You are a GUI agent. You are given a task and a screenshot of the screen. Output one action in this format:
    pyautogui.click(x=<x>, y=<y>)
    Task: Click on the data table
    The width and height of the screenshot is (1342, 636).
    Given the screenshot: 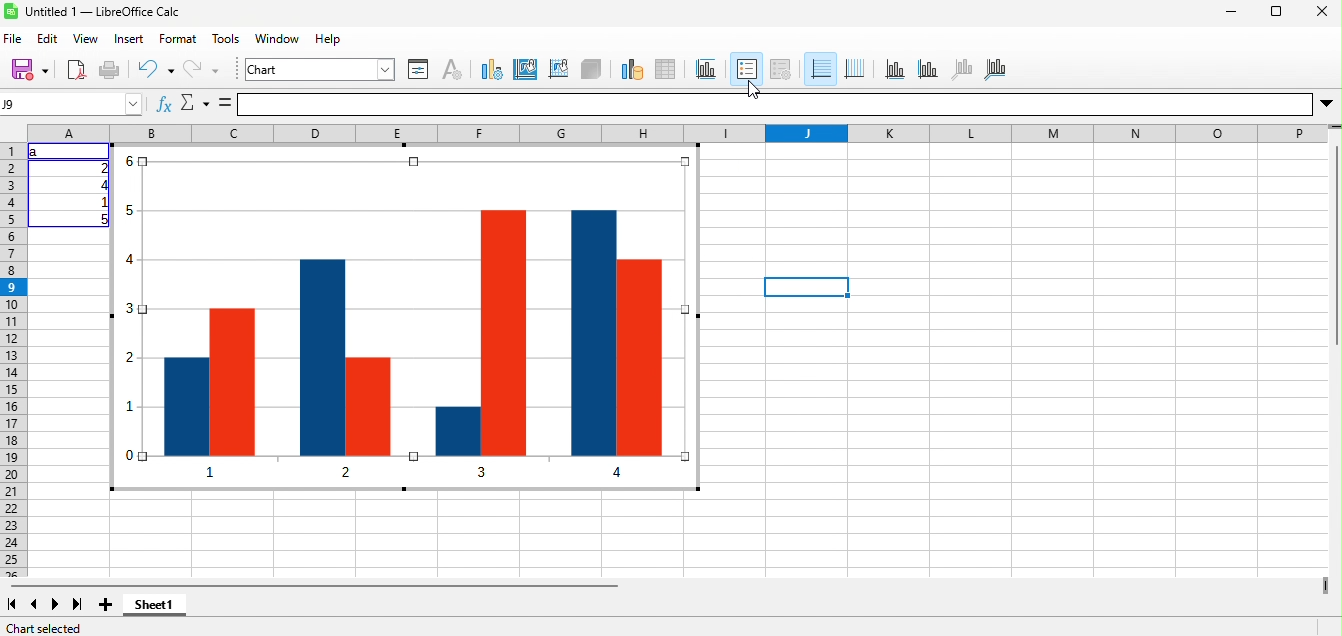 What is the action you would take?
    pyautogui.click(x=666, y=70)
    